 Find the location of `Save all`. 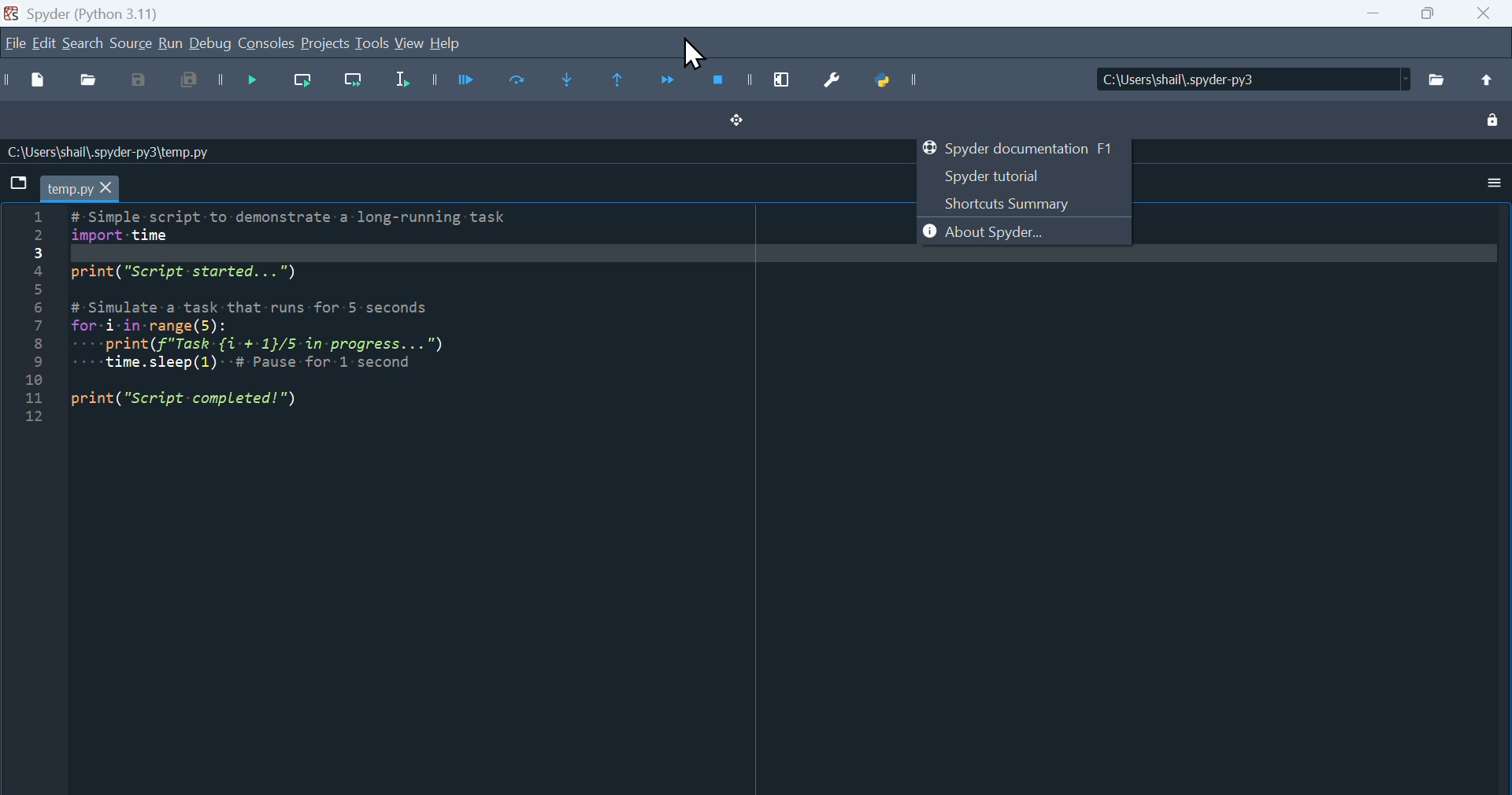

Save all is located at coordinates (186, 83).